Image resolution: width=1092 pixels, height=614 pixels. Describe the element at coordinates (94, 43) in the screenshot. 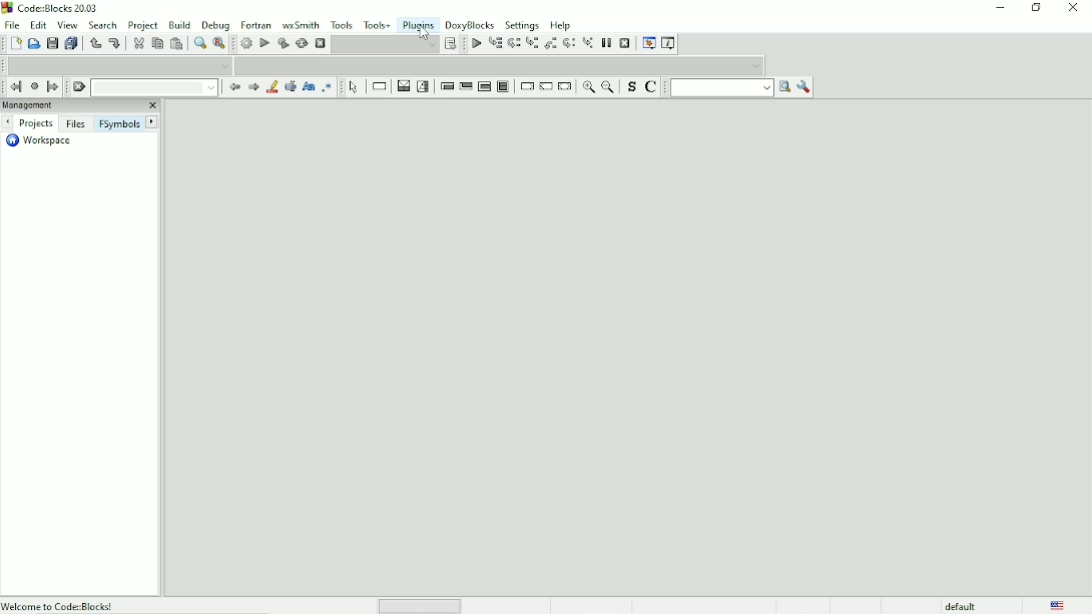

I see `Undo` at that location.